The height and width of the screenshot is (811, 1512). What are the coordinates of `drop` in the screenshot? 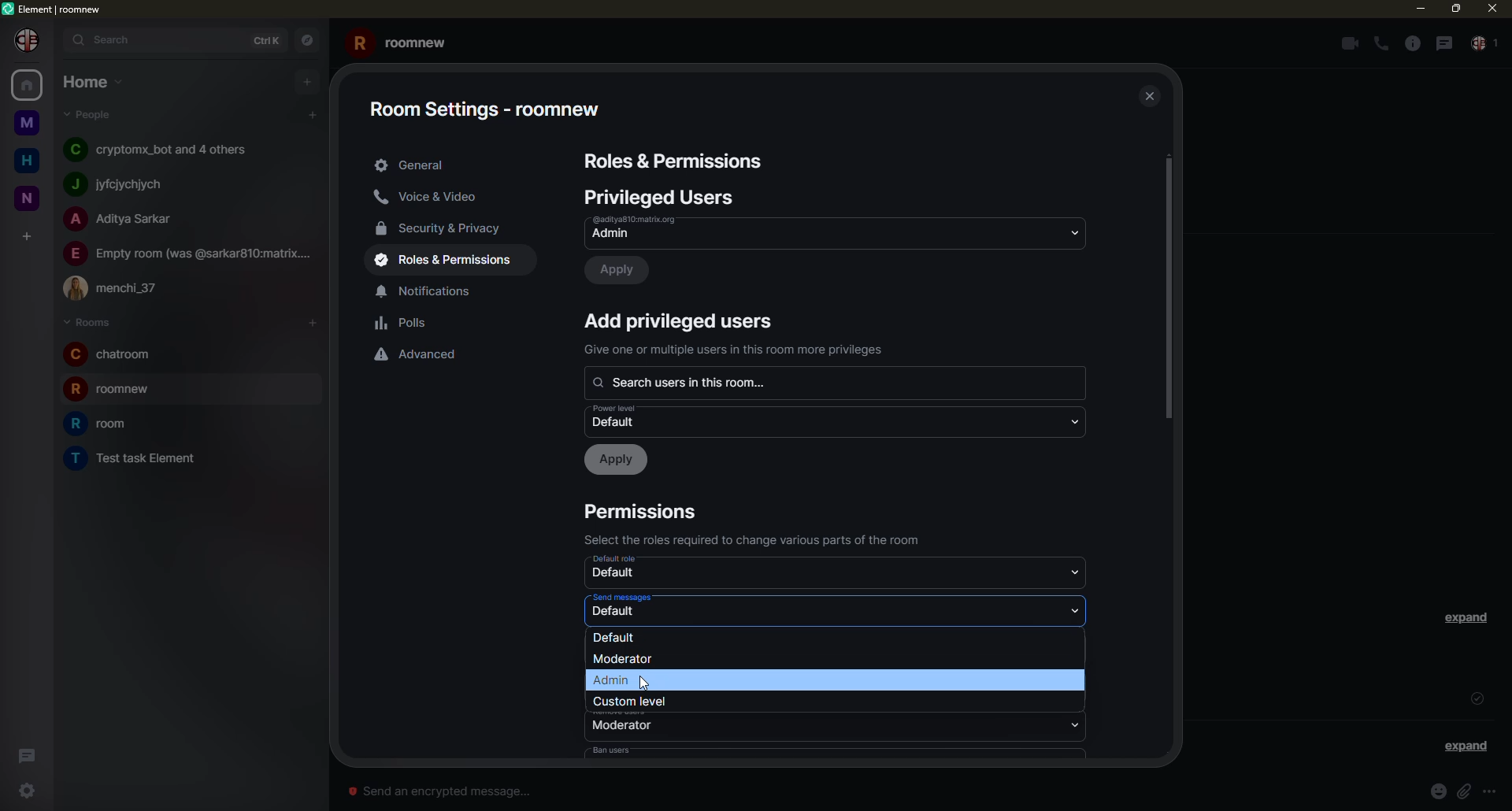 It's located at (1080, 650).